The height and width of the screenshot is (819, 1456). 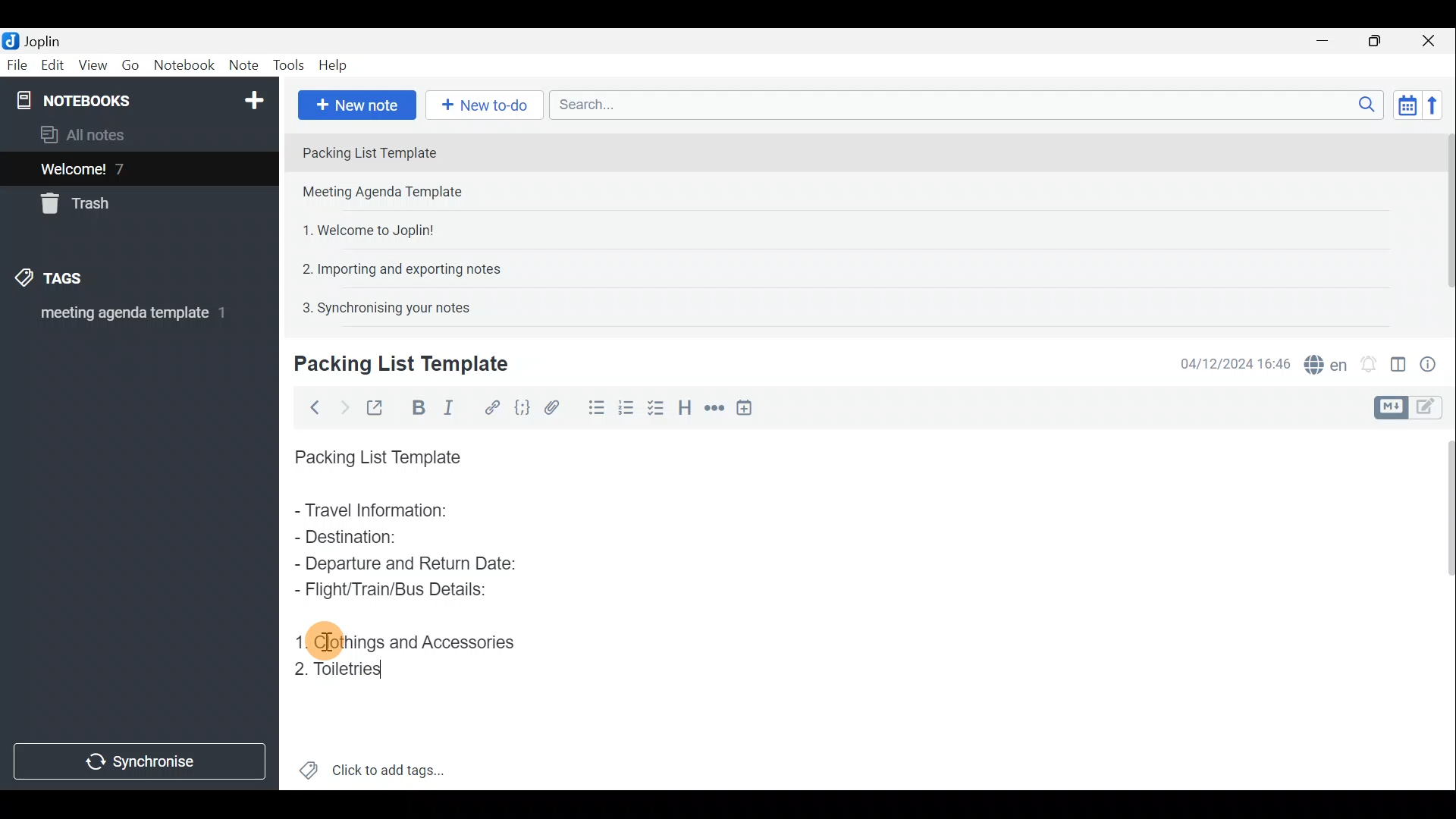 What do you see at coordinates (686, 406) in the screenshot?
I see `Heading` at bounding box center [686, 406].